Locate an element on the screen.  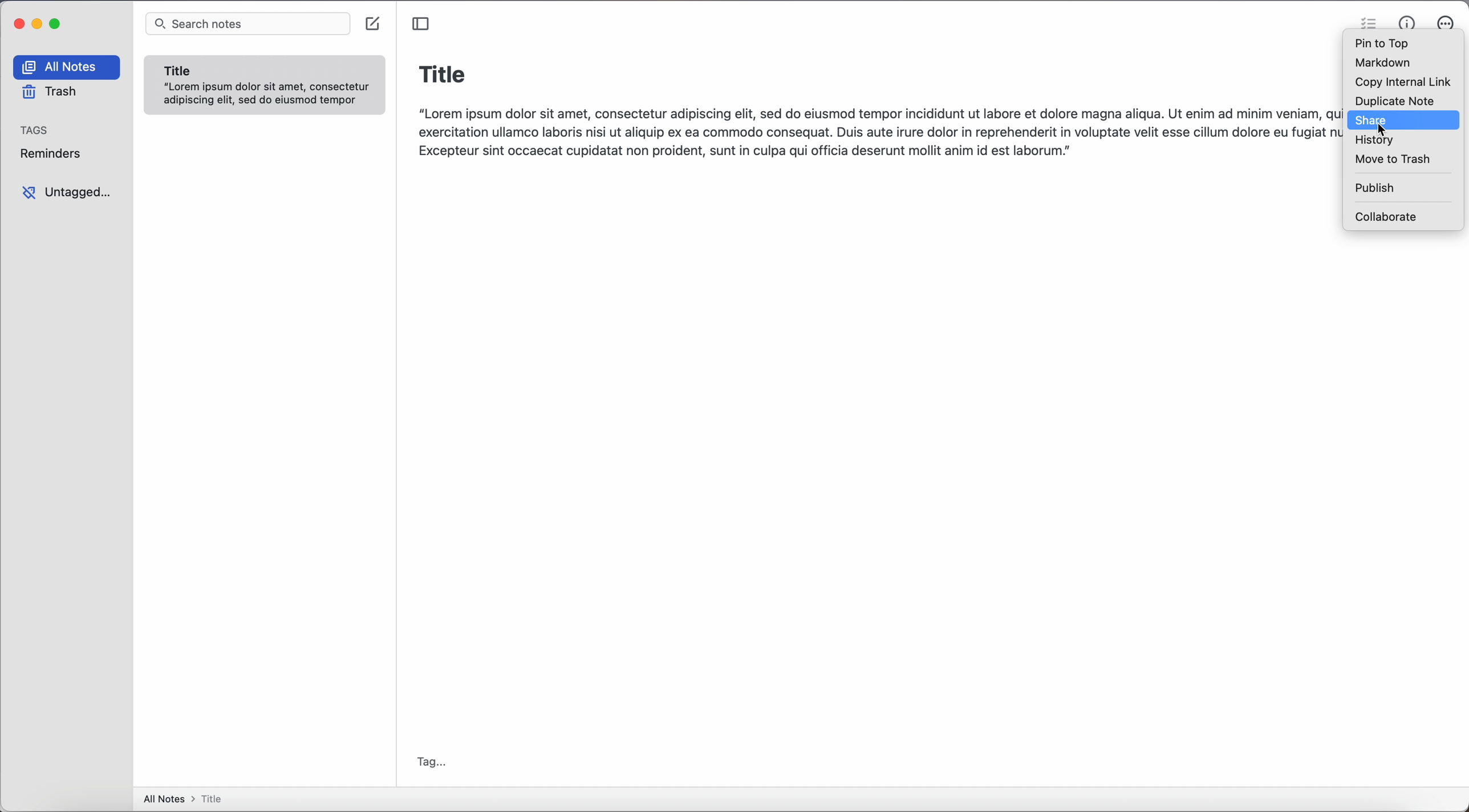
maximize app is located at coordinates (58, 23).